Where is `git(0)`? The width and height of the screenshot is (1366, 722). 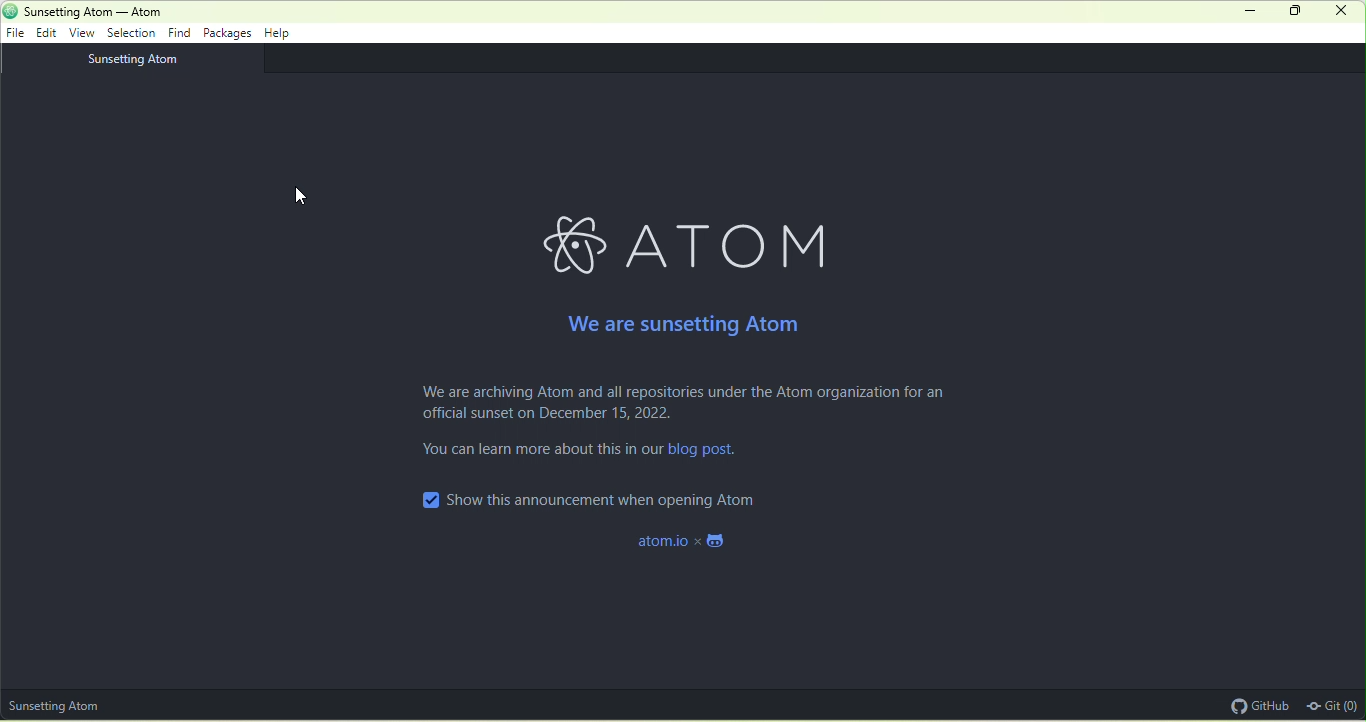 git(0) is located at coordinates (1334, 703).